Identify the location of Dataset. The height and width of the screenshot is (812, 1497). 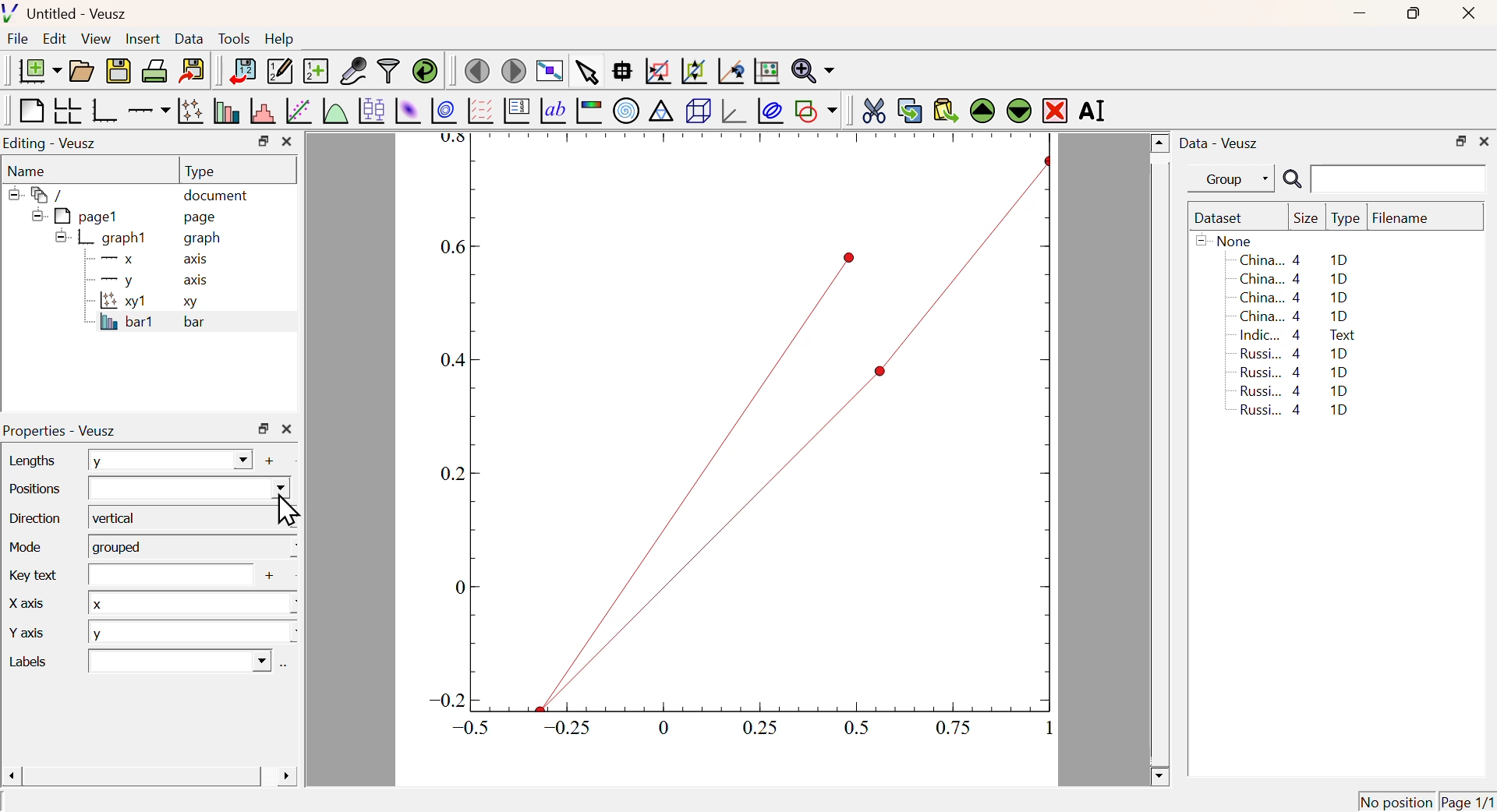
(1222, 219).